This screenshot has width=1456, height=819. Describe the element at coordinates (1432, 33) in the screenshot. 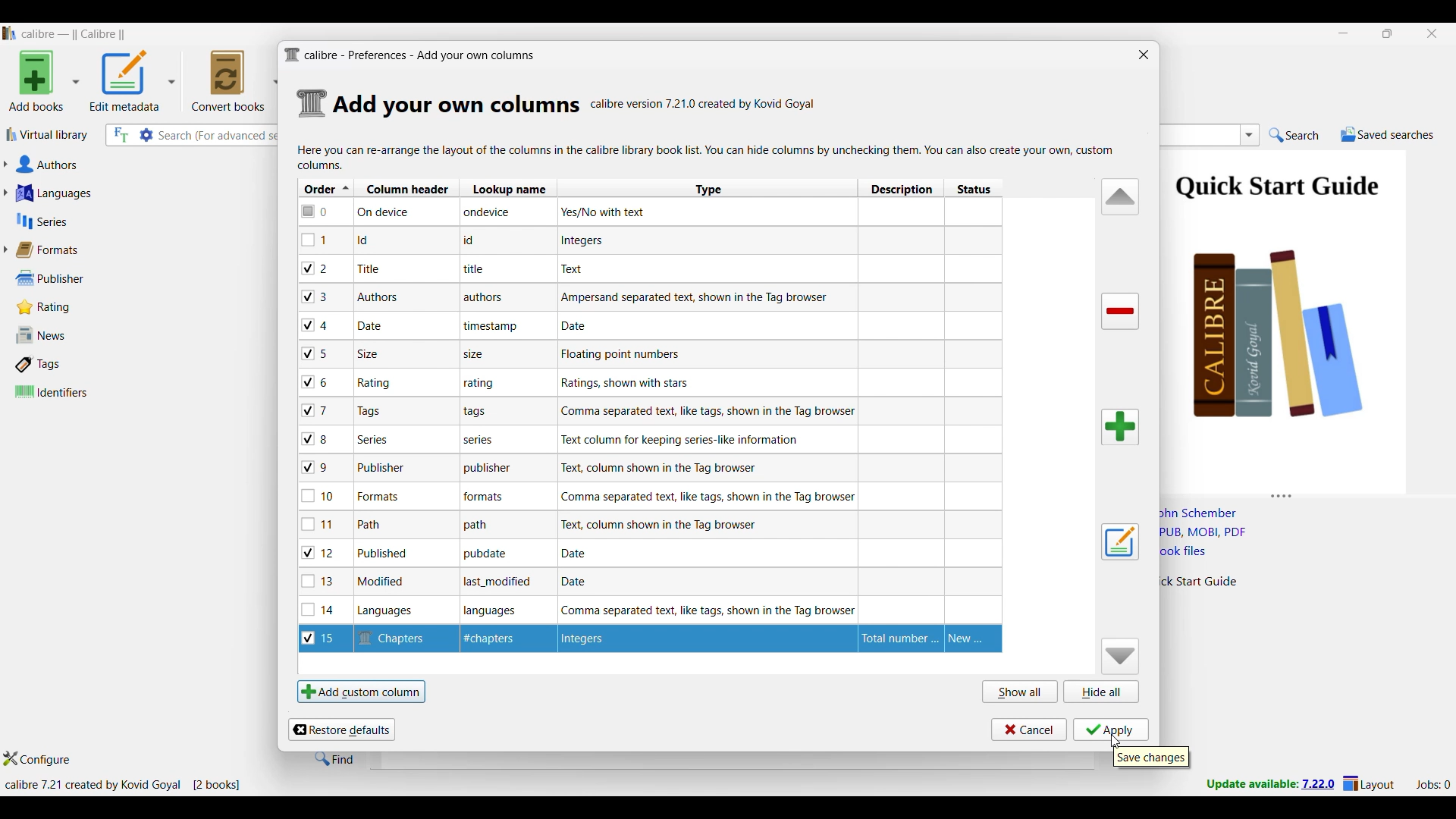

I see `Close interface` at that location.